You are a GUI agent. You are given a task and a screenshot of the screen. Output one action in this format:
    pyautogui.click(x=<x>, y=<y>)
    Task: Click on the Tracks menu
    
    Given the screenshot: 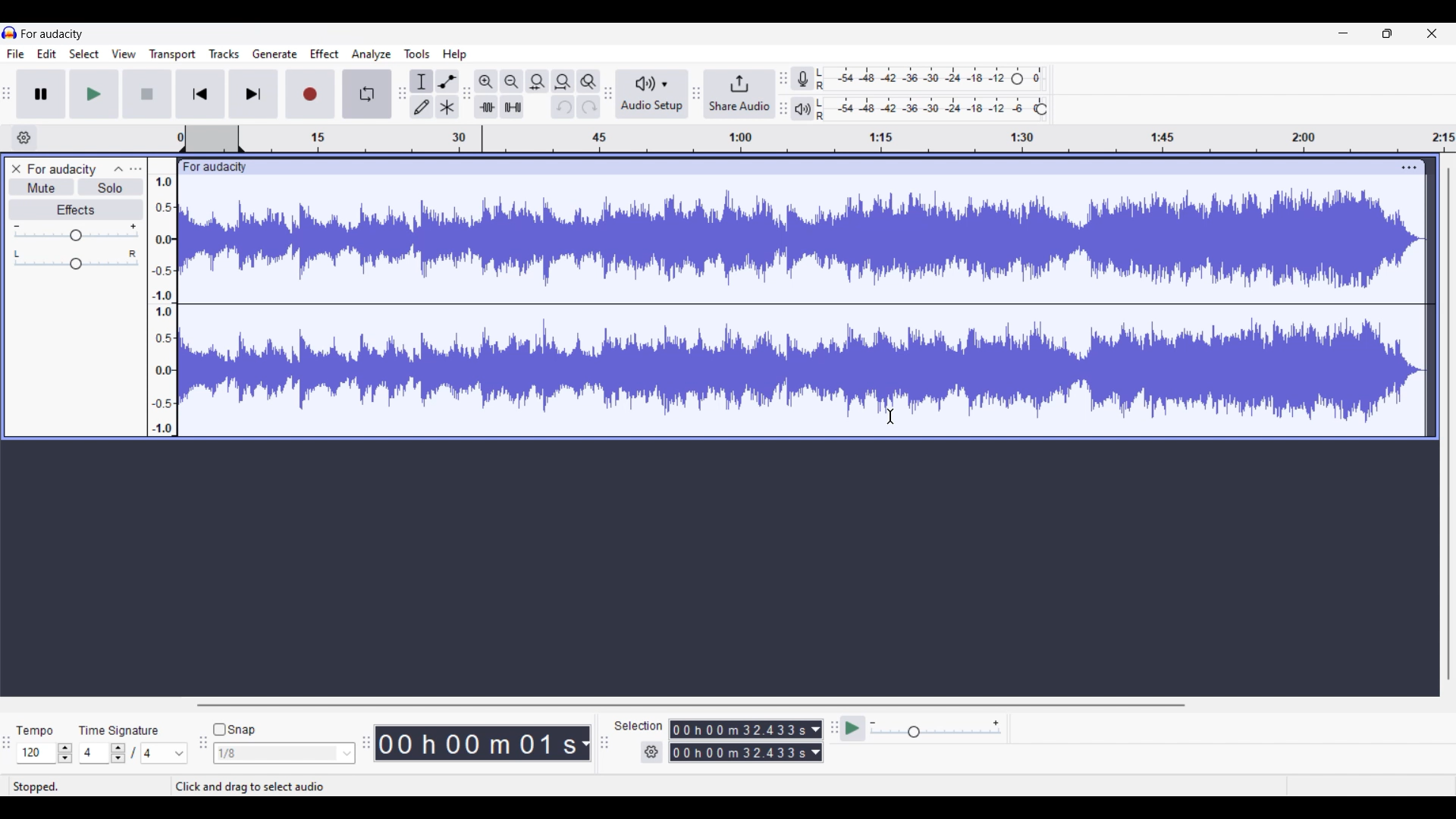 What is the action you would take?
    pyautogui.click(x=224, y=54)
    